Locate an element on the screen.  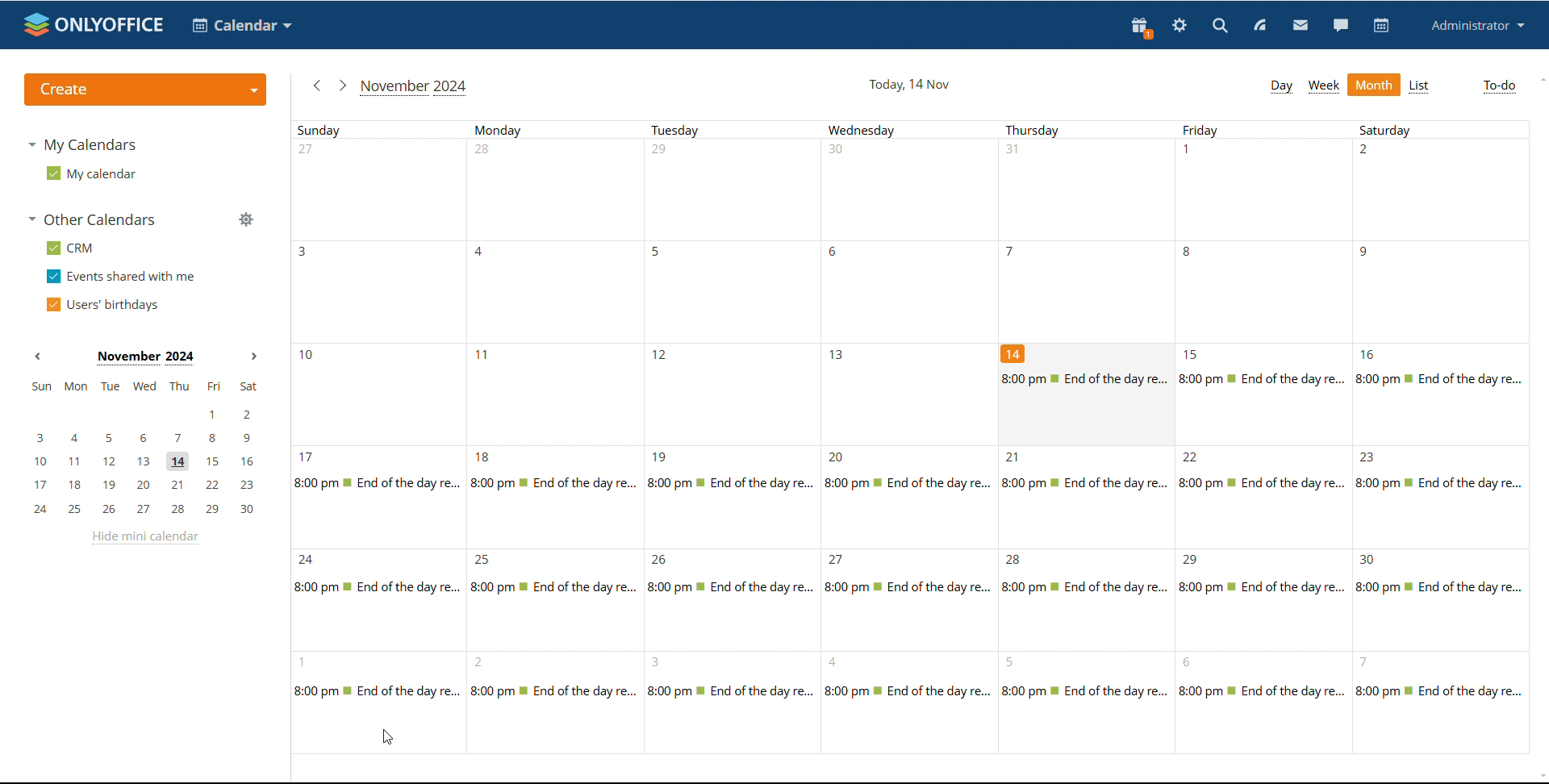
Day details is located at coordinates (531, 482).